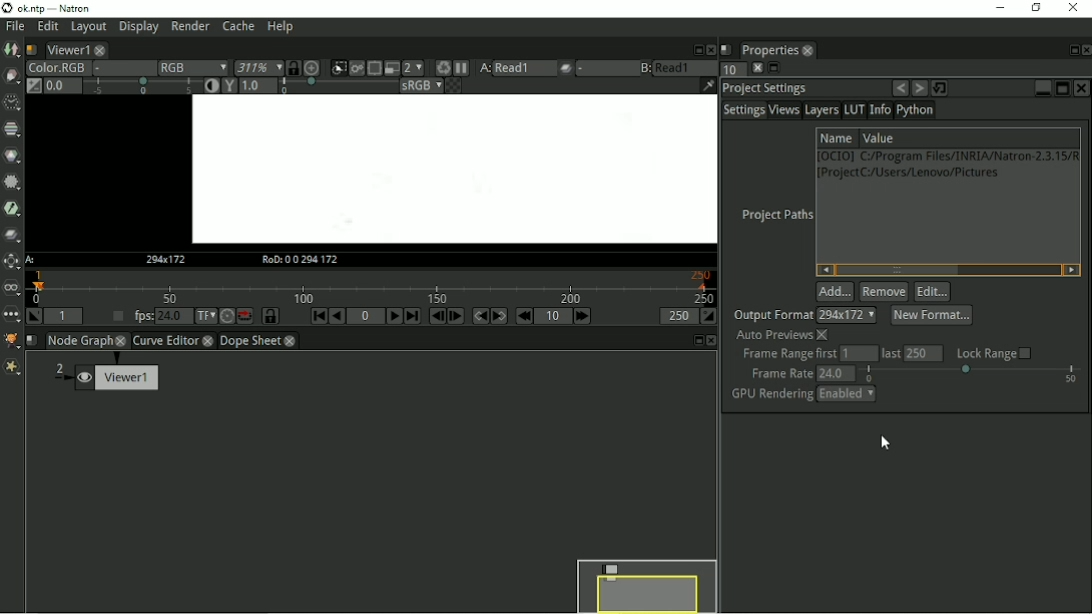 The width and height of the screenshot is (1092, 614). What do you see at coordinates (919, 89) in the screenshot?
I see `Redo` at bounding box center [919, 89].